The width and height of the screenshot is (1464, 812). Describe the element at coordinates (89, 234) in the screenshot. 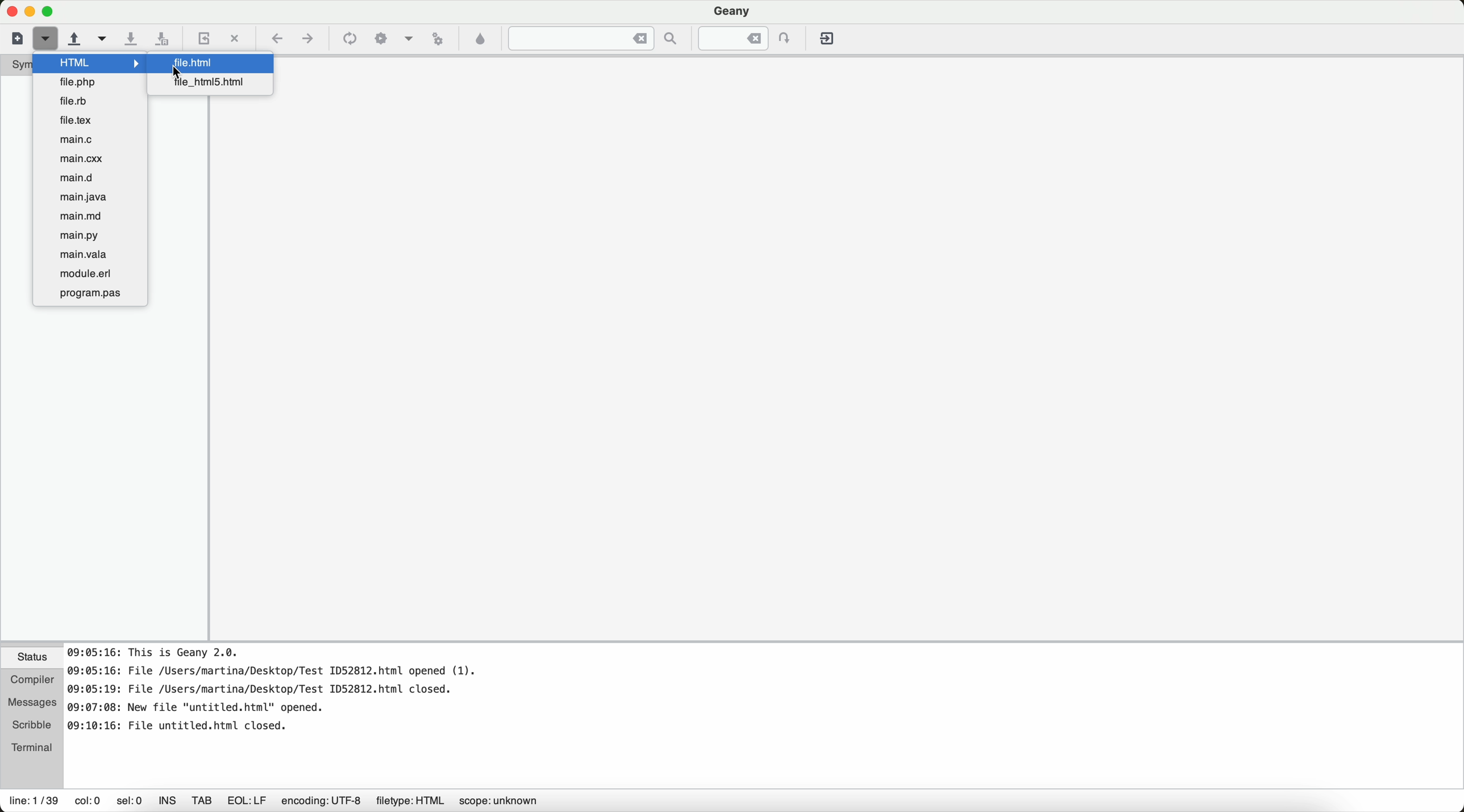

I see `main.py` at that location.